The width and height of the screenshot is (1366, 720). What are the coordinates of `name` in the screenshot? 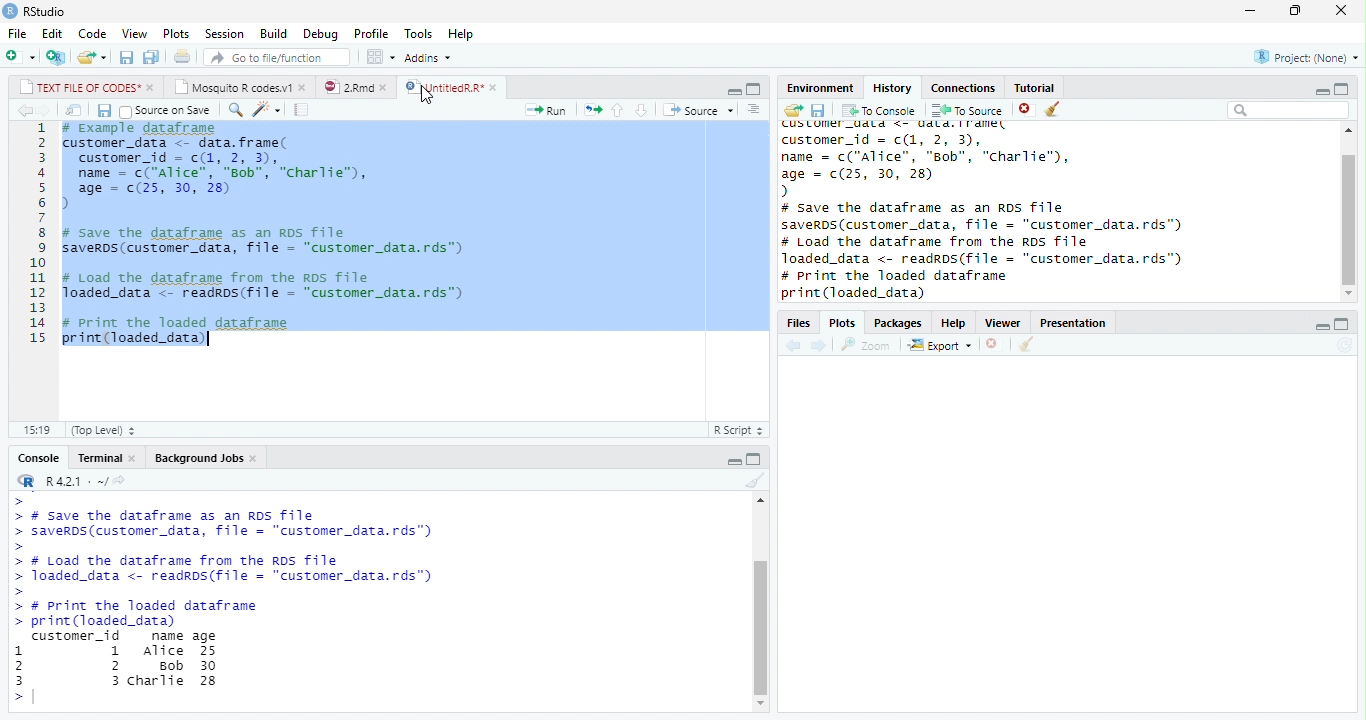 It's located at (168, 636).